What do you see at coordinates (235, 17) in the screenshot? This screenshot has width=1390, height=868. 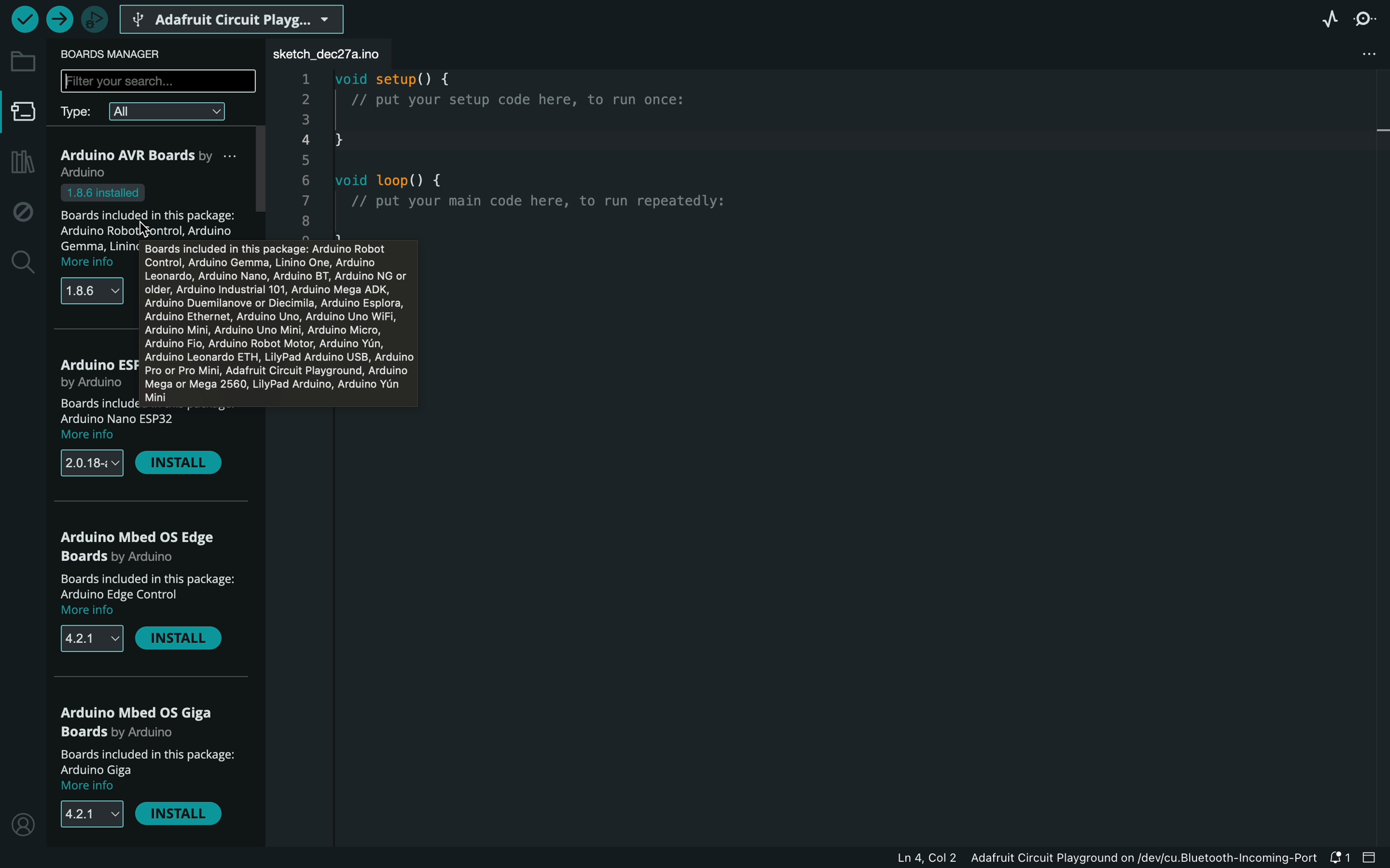 I see `board selecter` at bounding box center [235, 17].